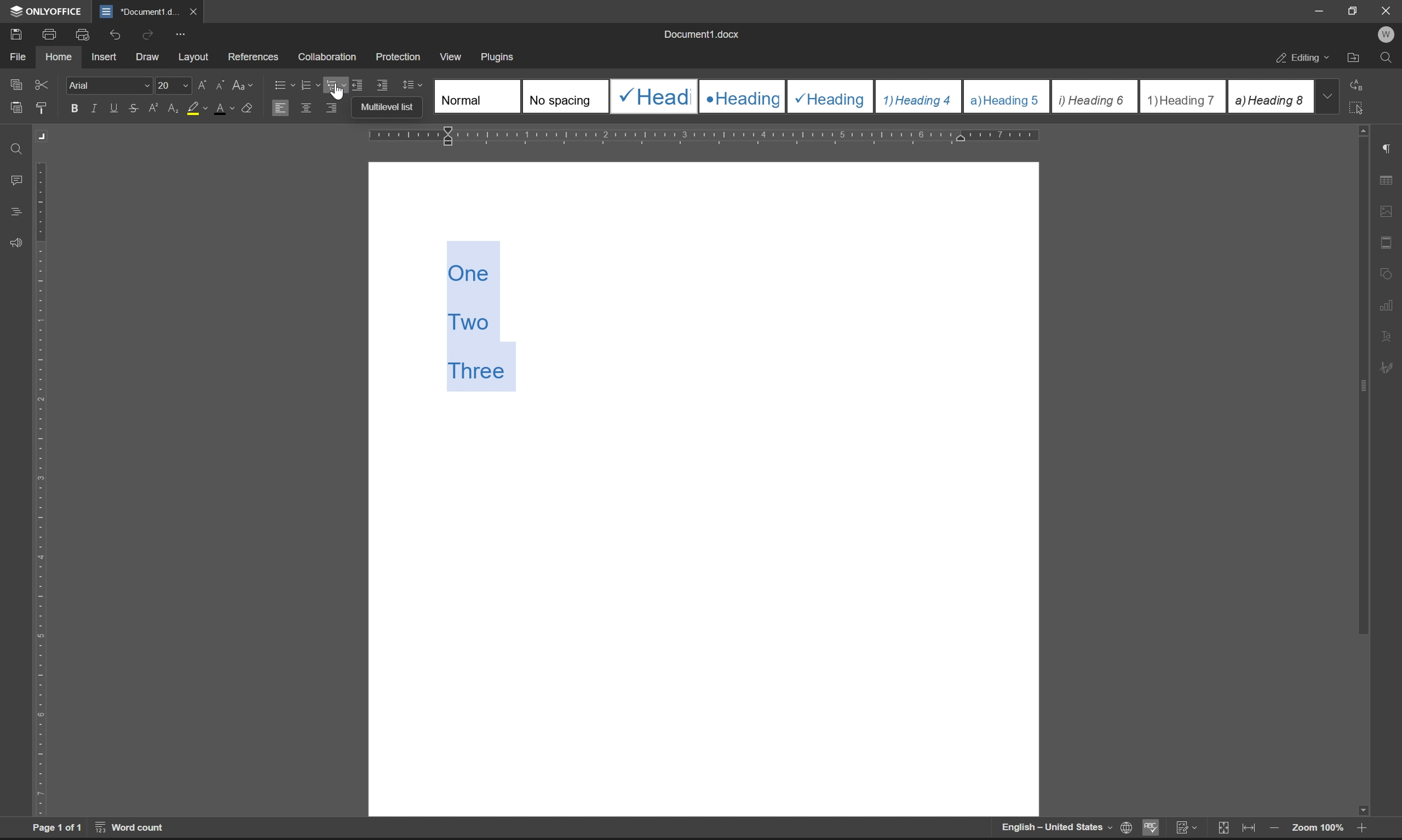 The height and width of the screenshot is (840, 1402). I want to click on word count, so click(131, 827).